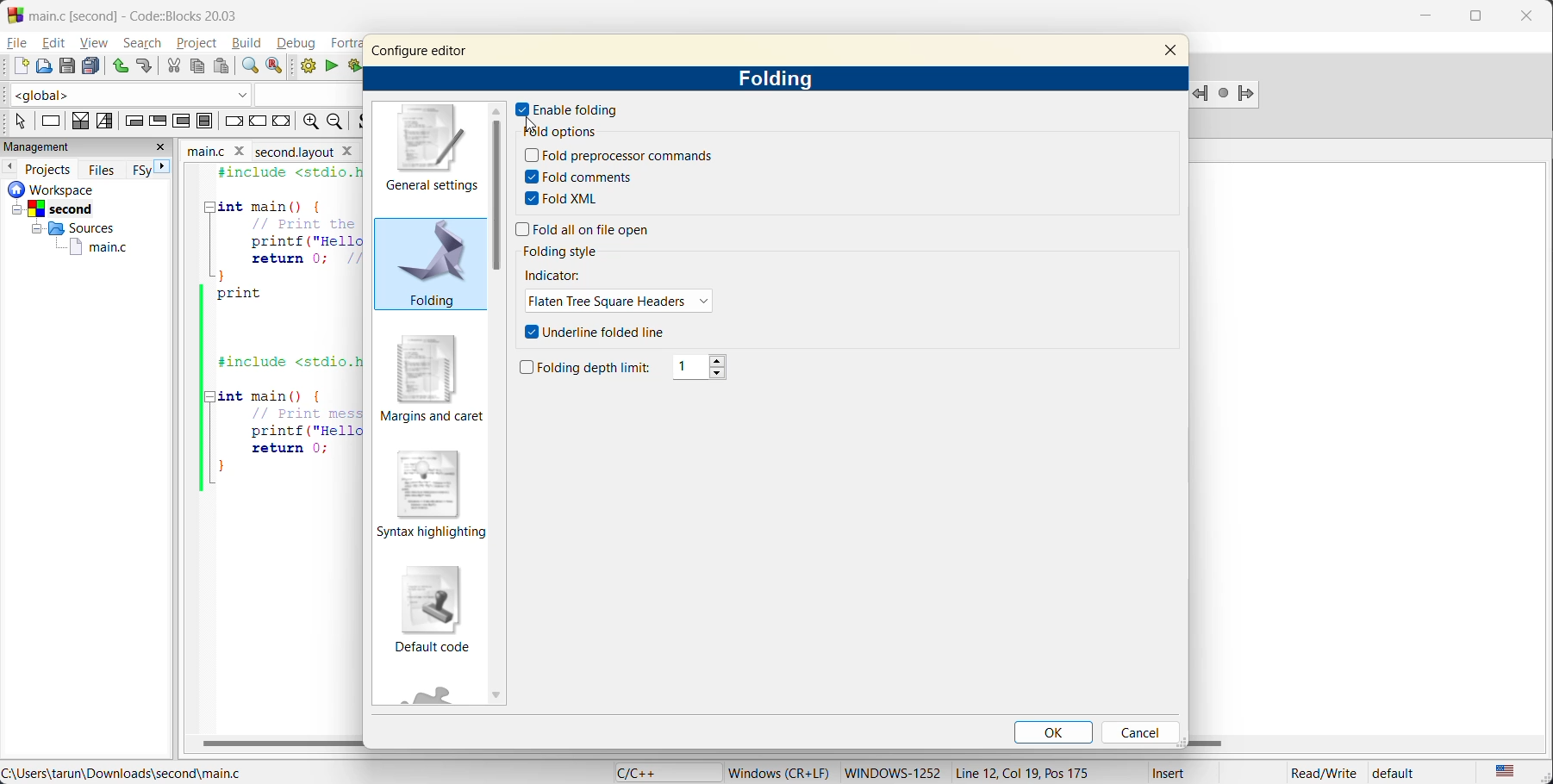 This screenshot has width=1553, height=784. What do you see at coordinates (120, 65) in the screenshot?
I see `undo` at bounding box center [120, 65].